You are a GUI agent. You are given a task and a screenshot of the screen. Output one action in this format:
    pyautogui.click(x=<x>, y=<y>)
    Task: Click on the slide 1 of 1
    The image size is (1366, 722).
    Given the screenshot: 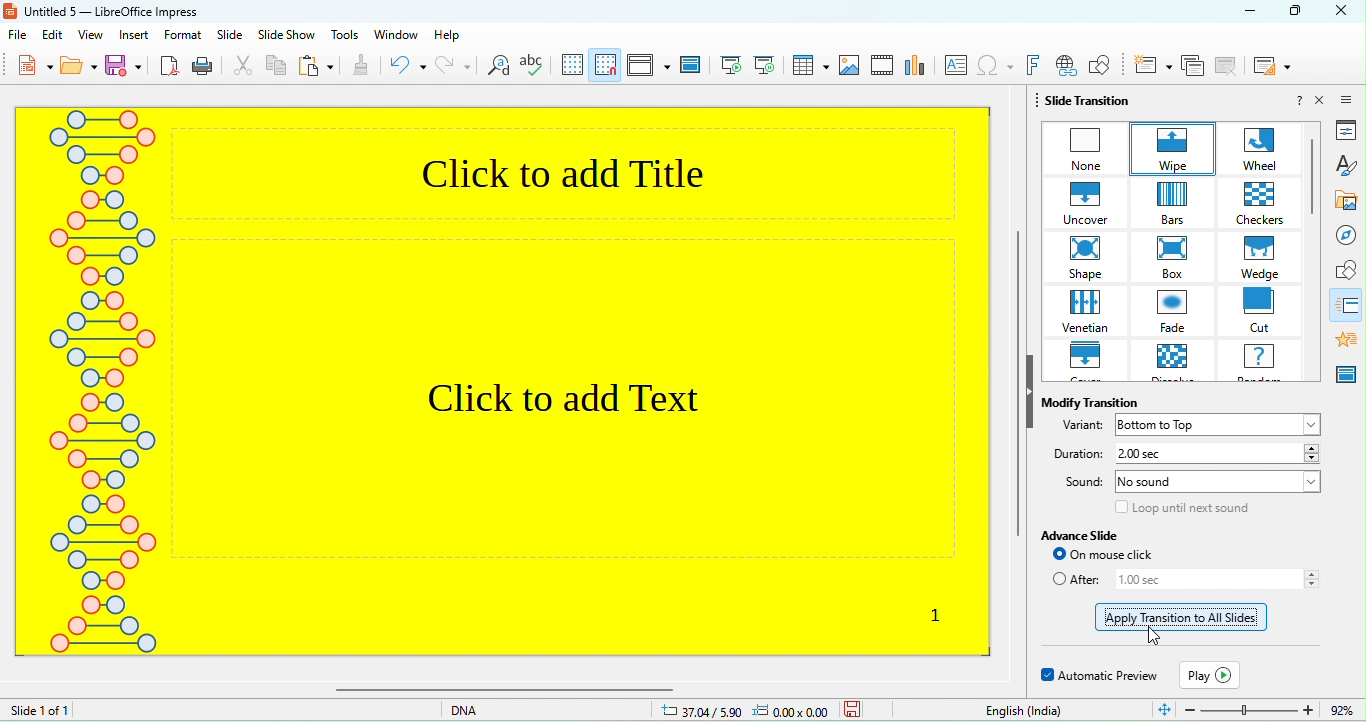 What is the action you would take?
    pyautogui.click(x=83, y=711)
    